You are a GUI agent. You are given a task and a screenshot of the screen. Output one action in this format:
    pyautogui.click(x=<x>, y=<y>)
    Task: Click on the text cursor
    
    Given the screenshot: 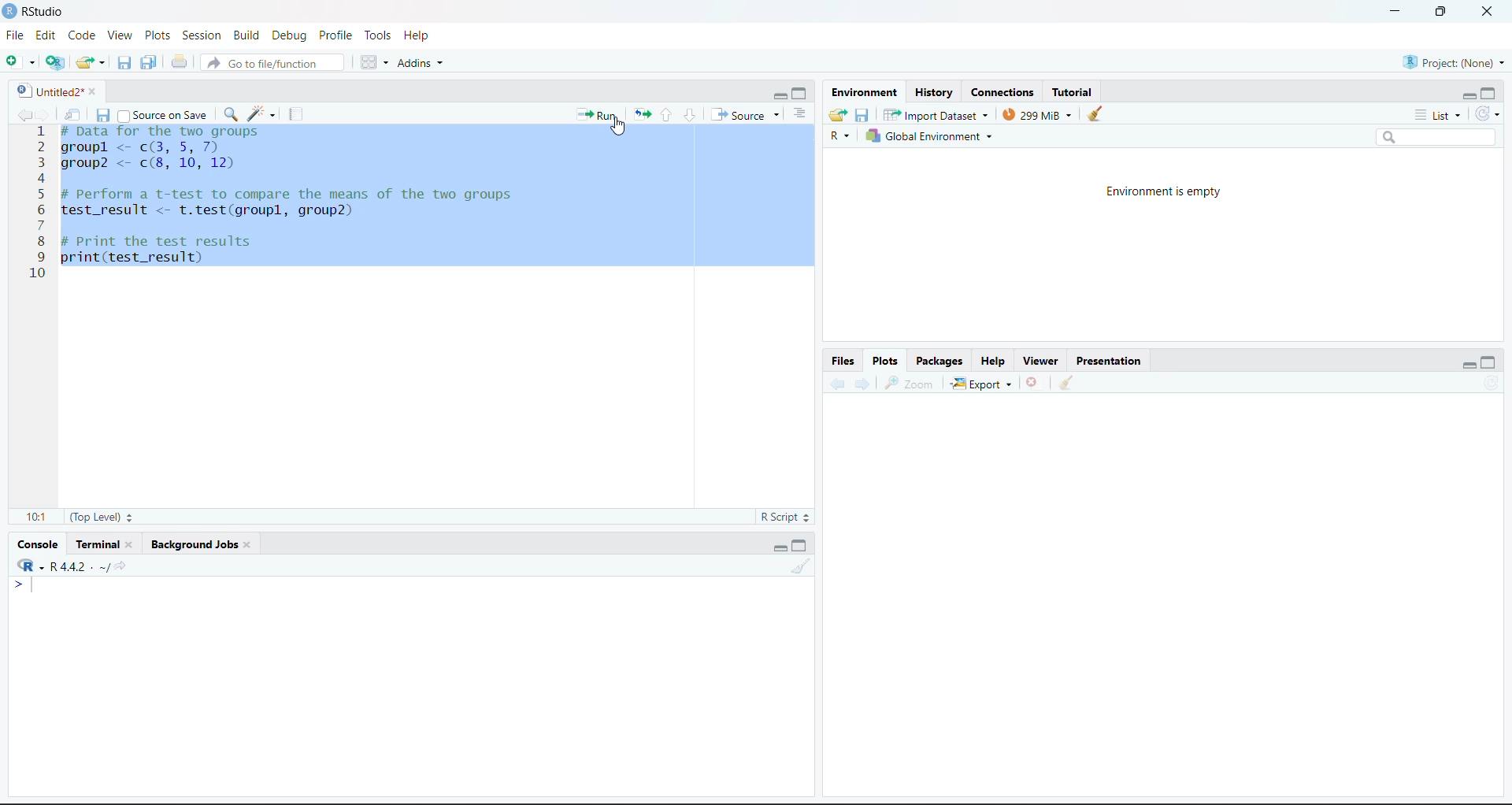 What is the action you would take?
    pyautogui.click(x=35, y=584)
    